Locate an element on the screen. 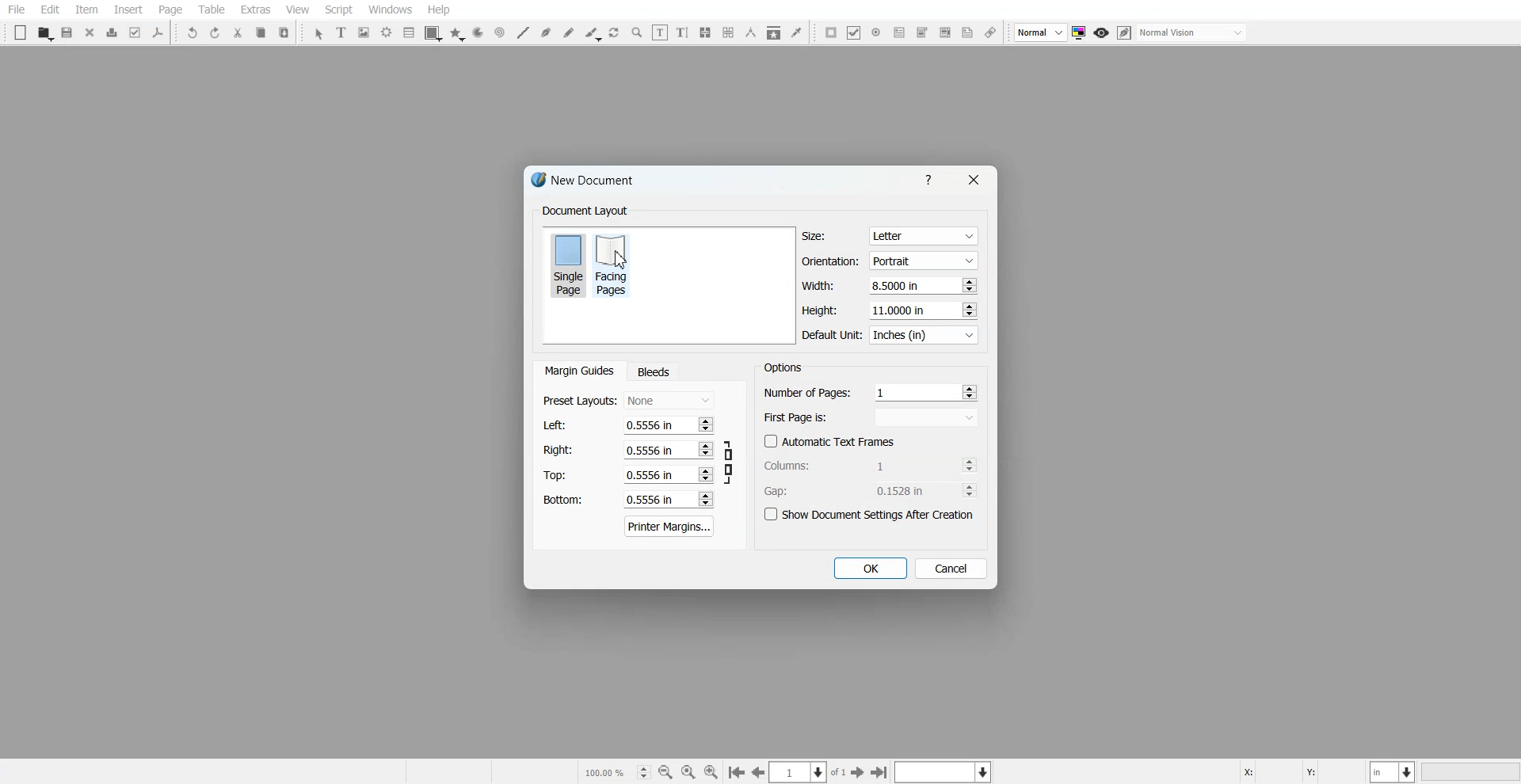  Render Frame is located at coordinates (387, 32).